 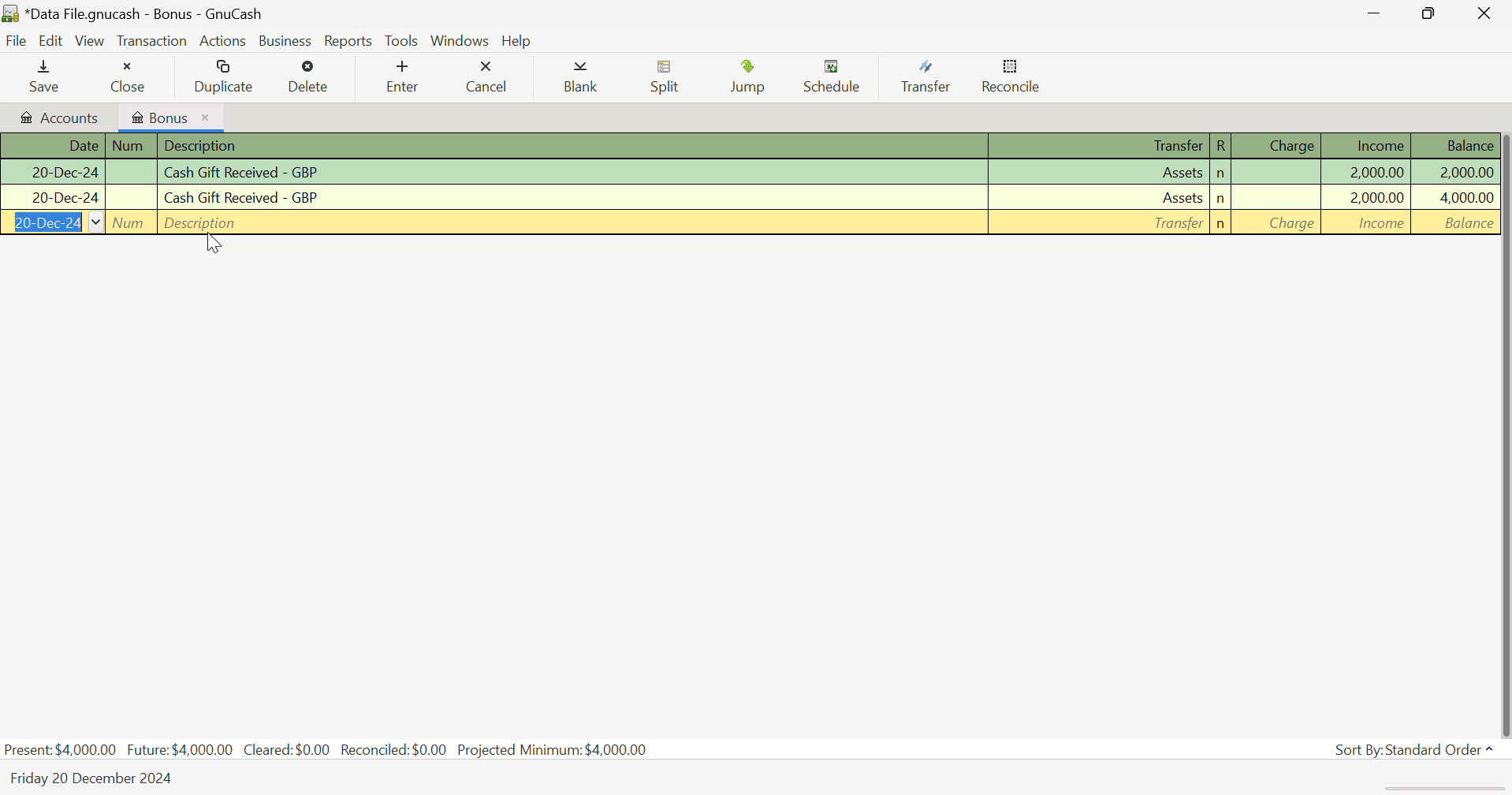 I want to click on Transfer, so click(x=1103, y=198).